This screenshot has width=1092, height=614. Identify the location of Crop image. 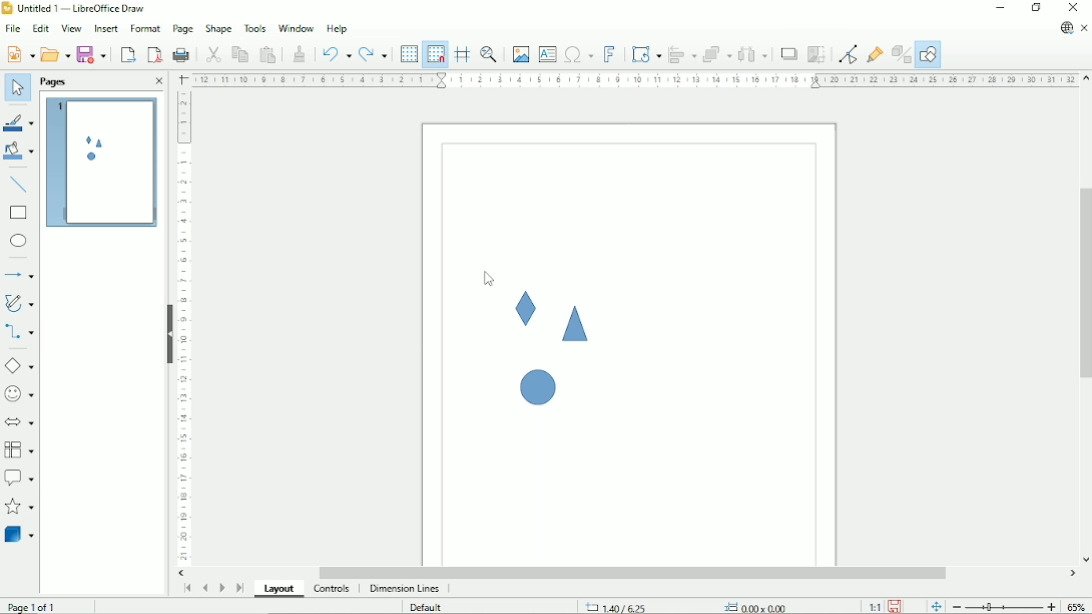
(817, 55).